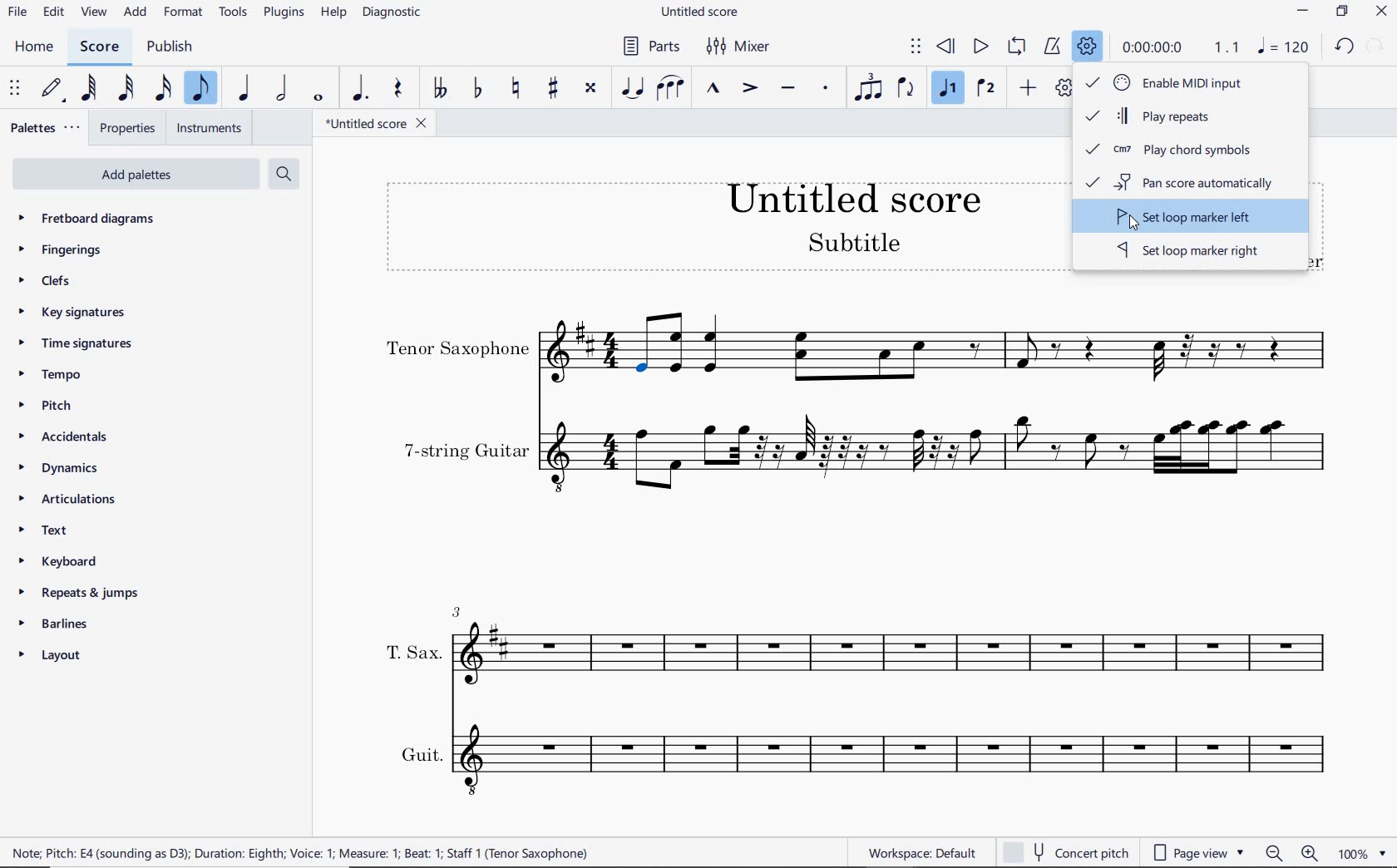  What do you see at coordinates (49, 657) in the screenshot?
I see `LAYOUT` at bounding box center [49, 657].